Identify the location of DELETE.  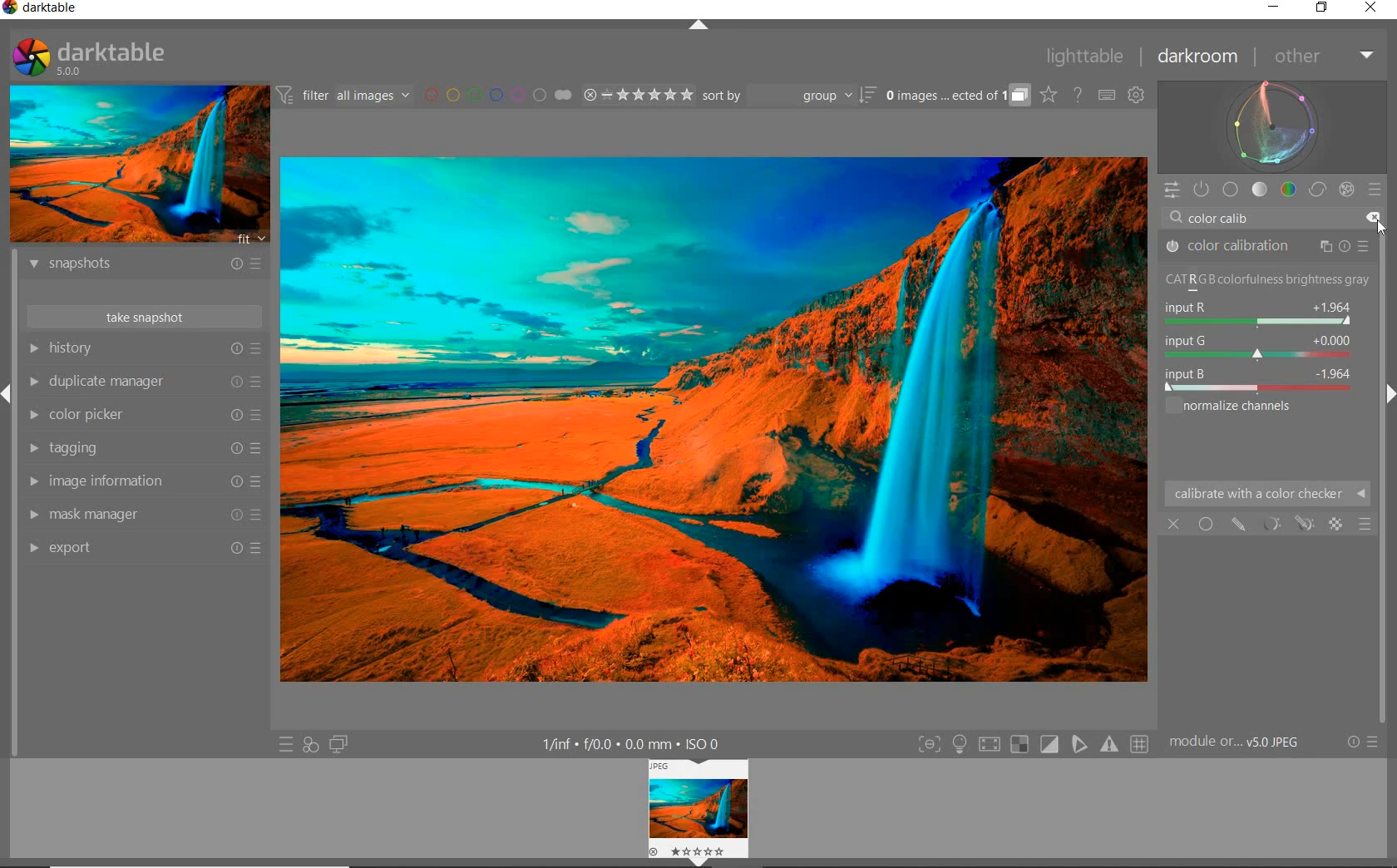
(1377, 223).